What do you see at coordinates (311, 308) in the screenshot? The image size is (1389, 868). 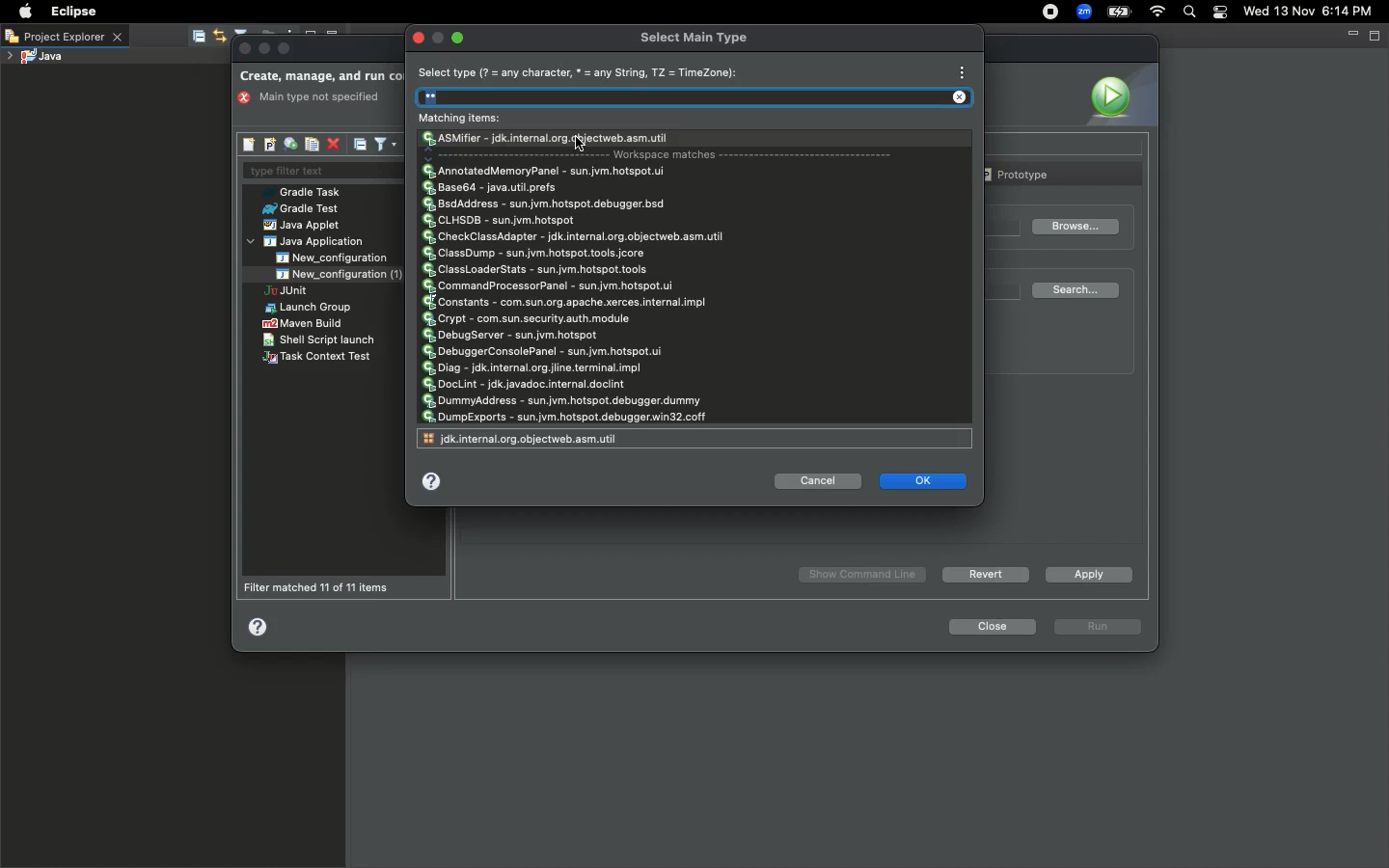 I see `Launch group` at bounding box center [311, 308].